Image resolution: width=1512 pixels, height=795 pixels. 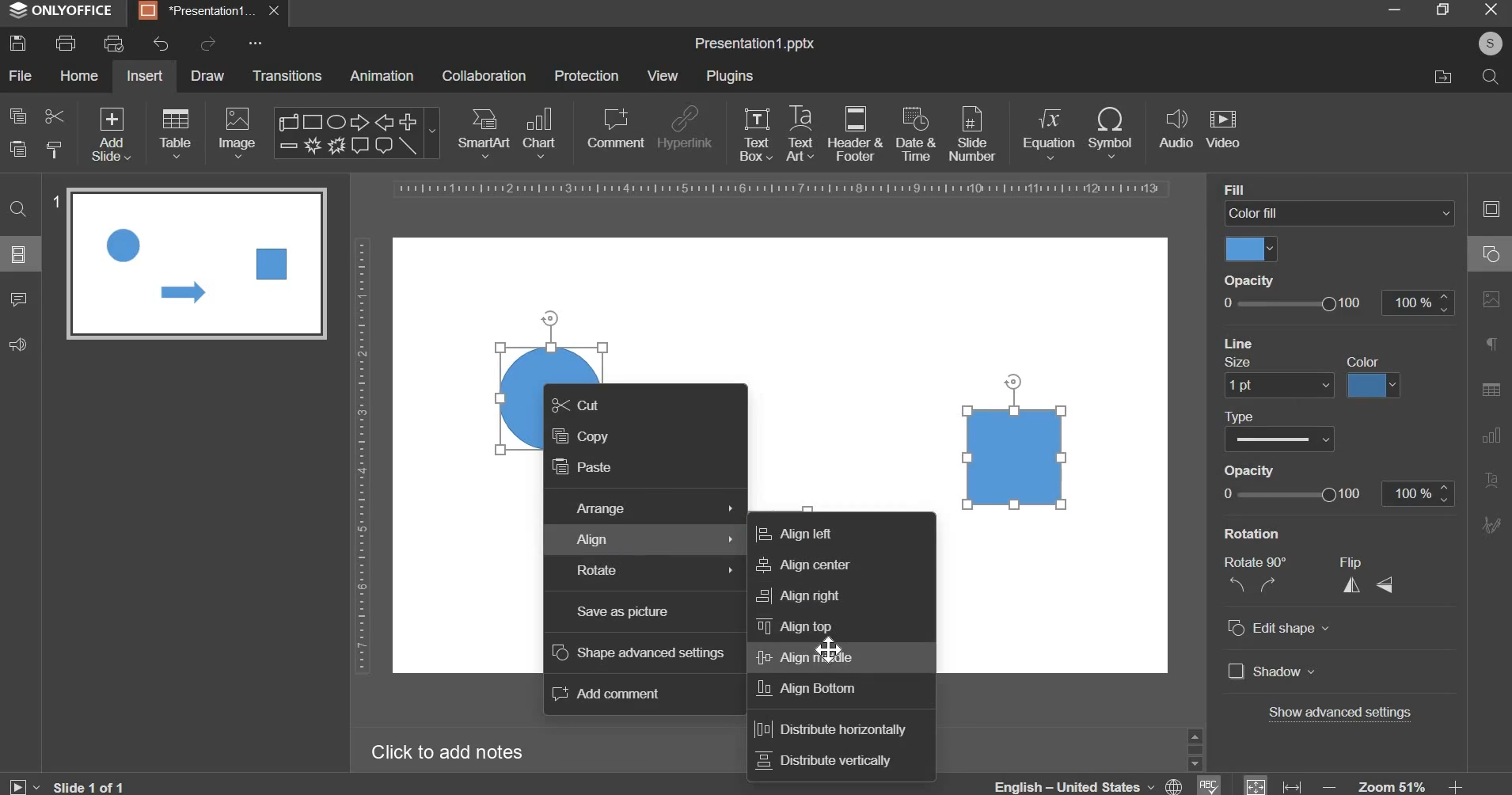 I want to click on line type, so click(x=1279, y=439).